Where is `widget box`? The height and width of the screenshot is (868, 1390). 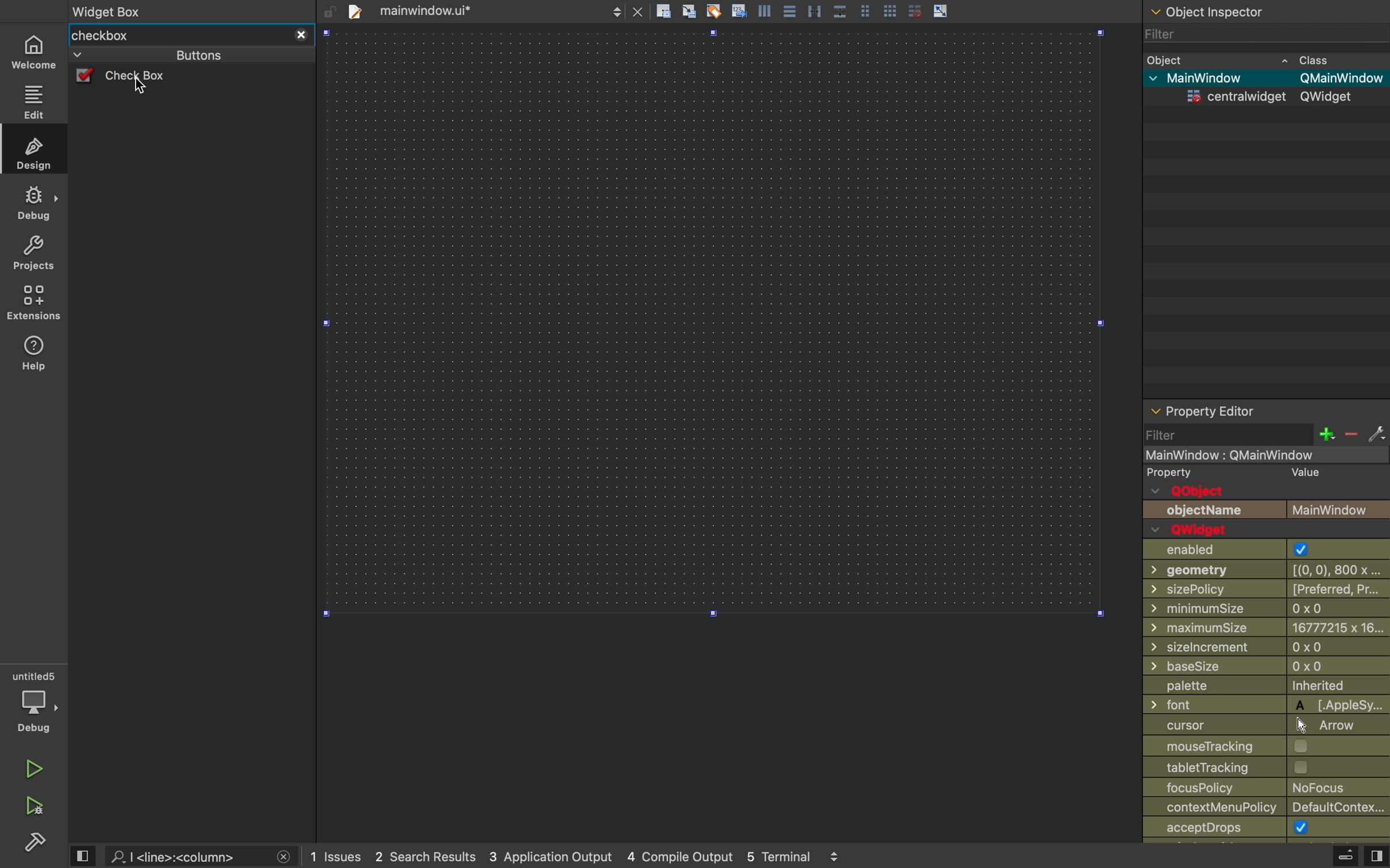 widget box is located at coordinates (177, 36).